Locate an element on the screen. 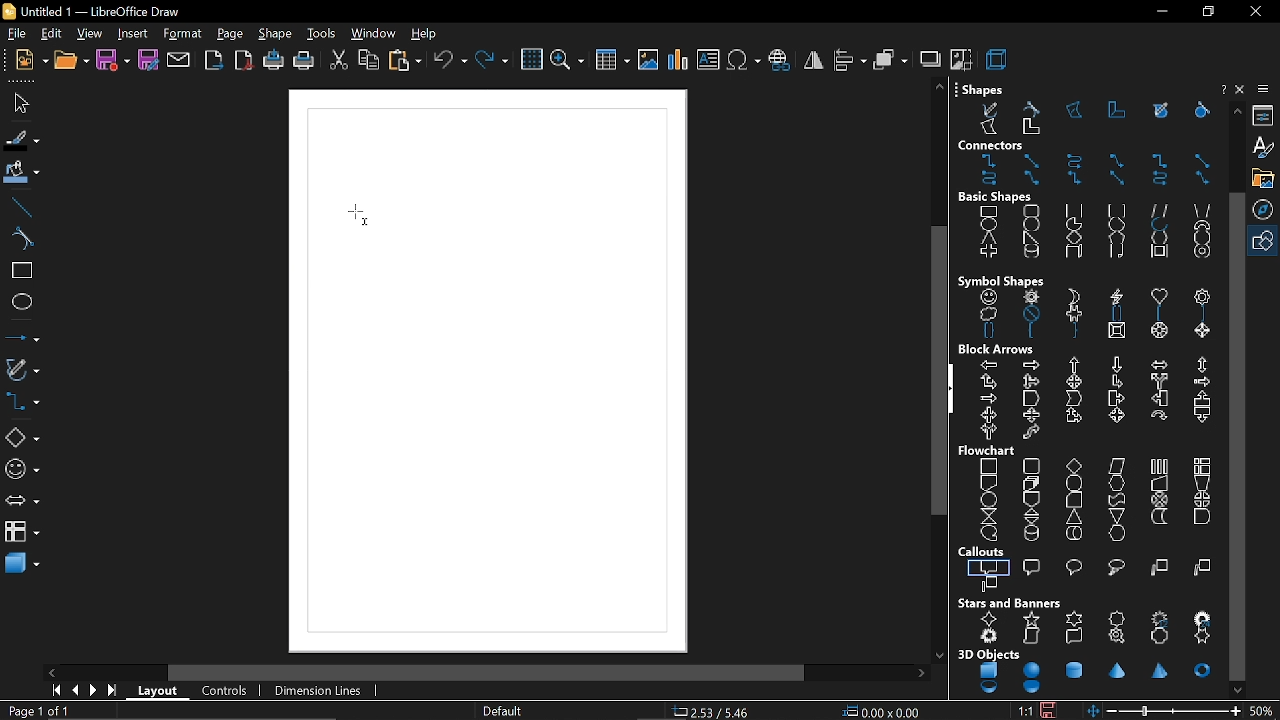 This screenshot has width=1280, height=720. open is located at coordinates (70, 63).